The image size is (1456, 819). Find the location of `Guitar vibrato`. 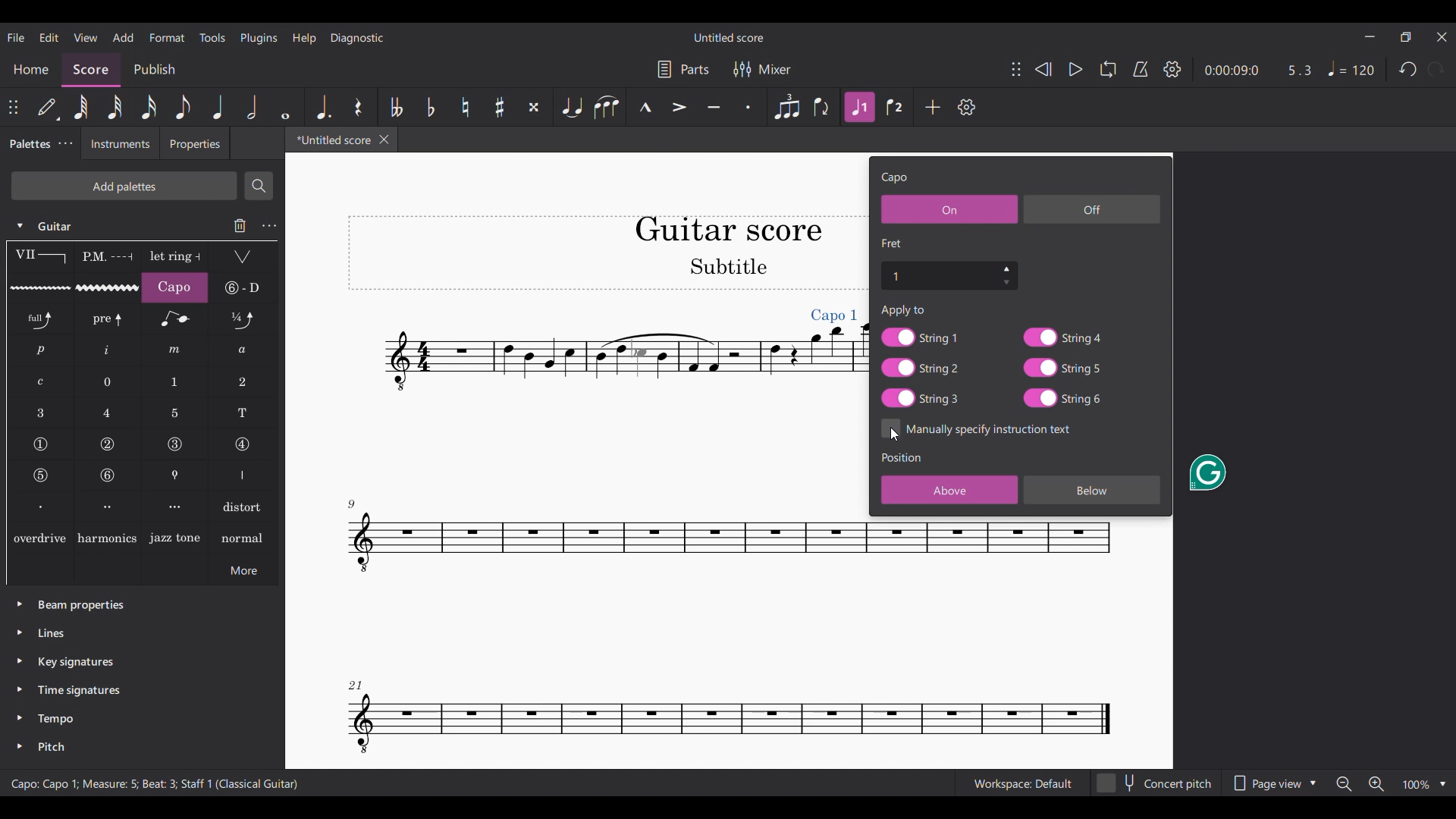

Guitar vibrato is located at coordinates (40, 288).